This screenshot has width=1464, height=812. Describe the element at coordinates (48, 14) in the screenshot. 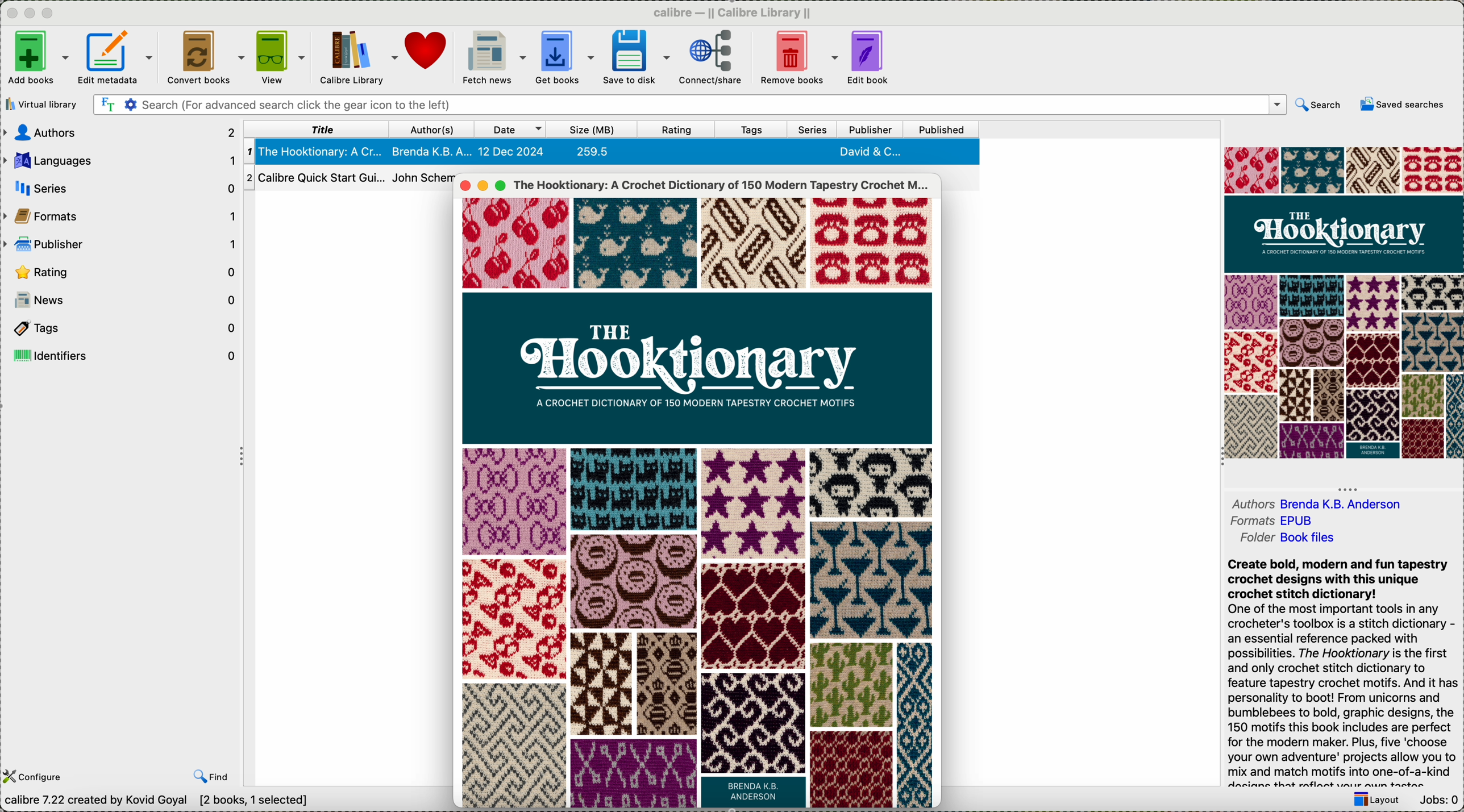

I see `maximize program` at that location.